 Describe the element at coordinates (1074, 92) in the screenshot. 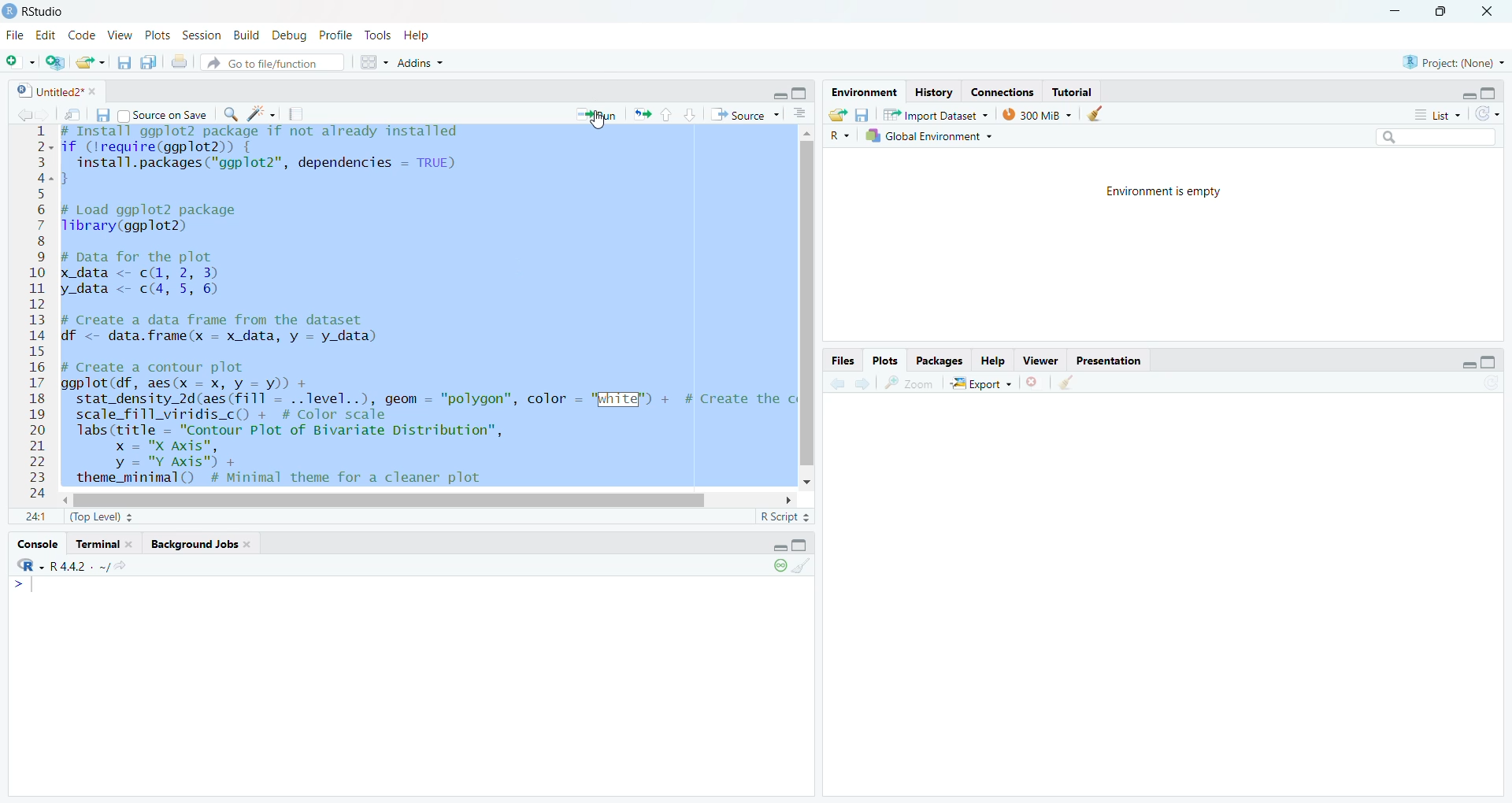

I see `Tutorial` at that location.